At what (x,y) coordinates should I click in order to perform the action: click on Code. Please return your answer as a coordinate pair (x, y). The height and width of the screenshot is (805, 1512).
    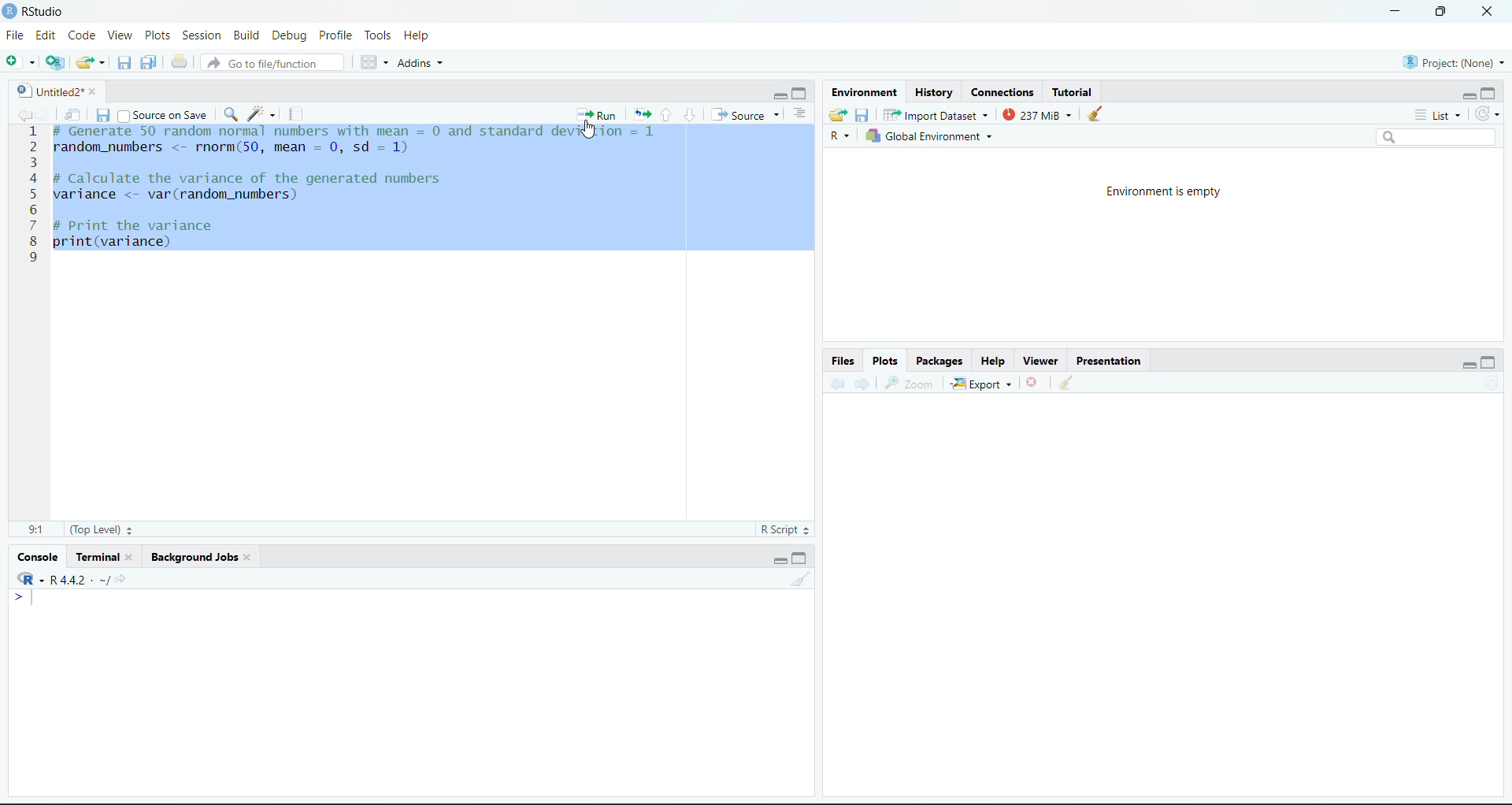
    Looking at the image, I should click on (83, 35).